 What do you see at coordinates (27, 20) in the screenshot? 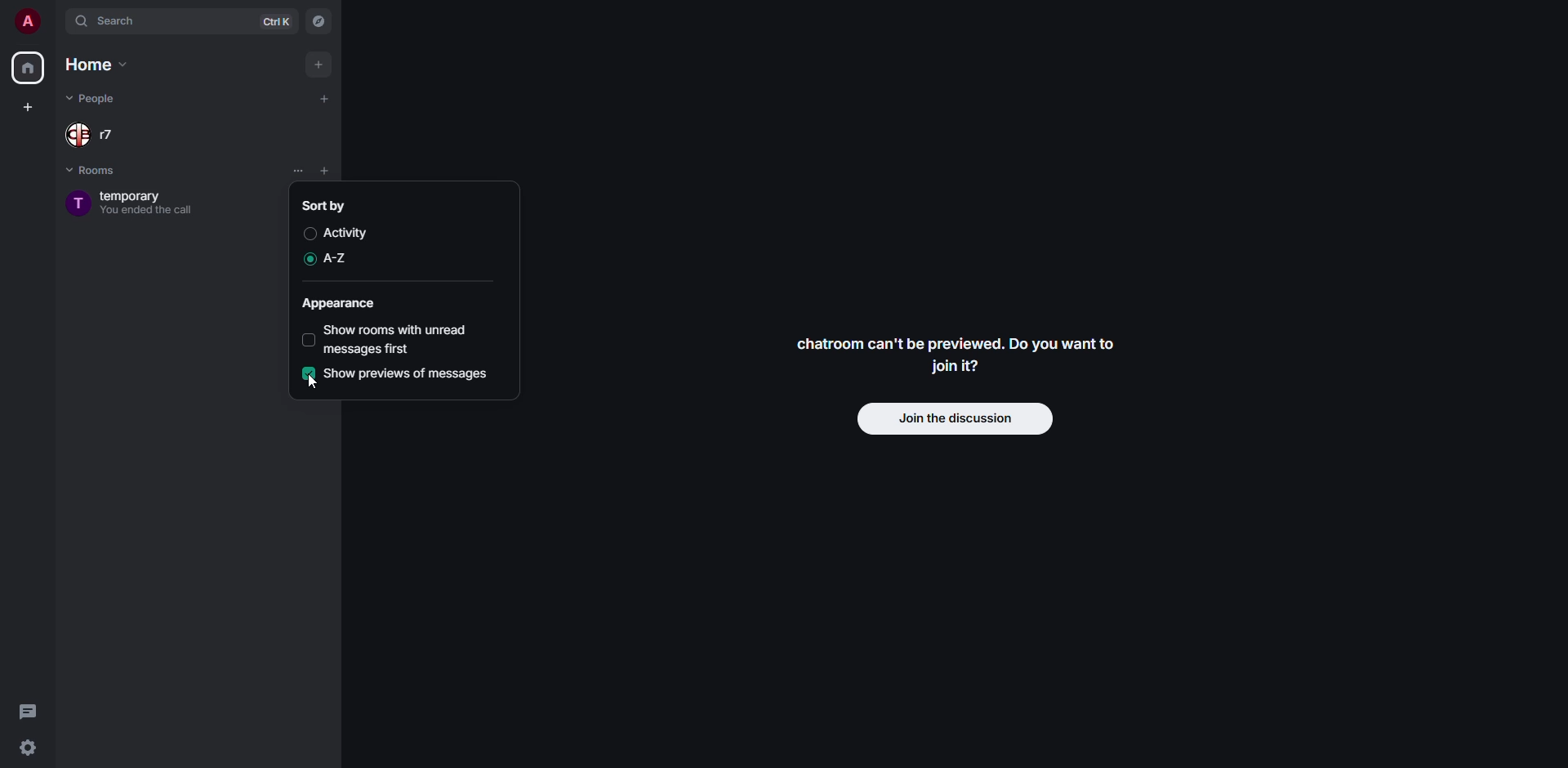
I see `profile` at bounding box center [27, 20].